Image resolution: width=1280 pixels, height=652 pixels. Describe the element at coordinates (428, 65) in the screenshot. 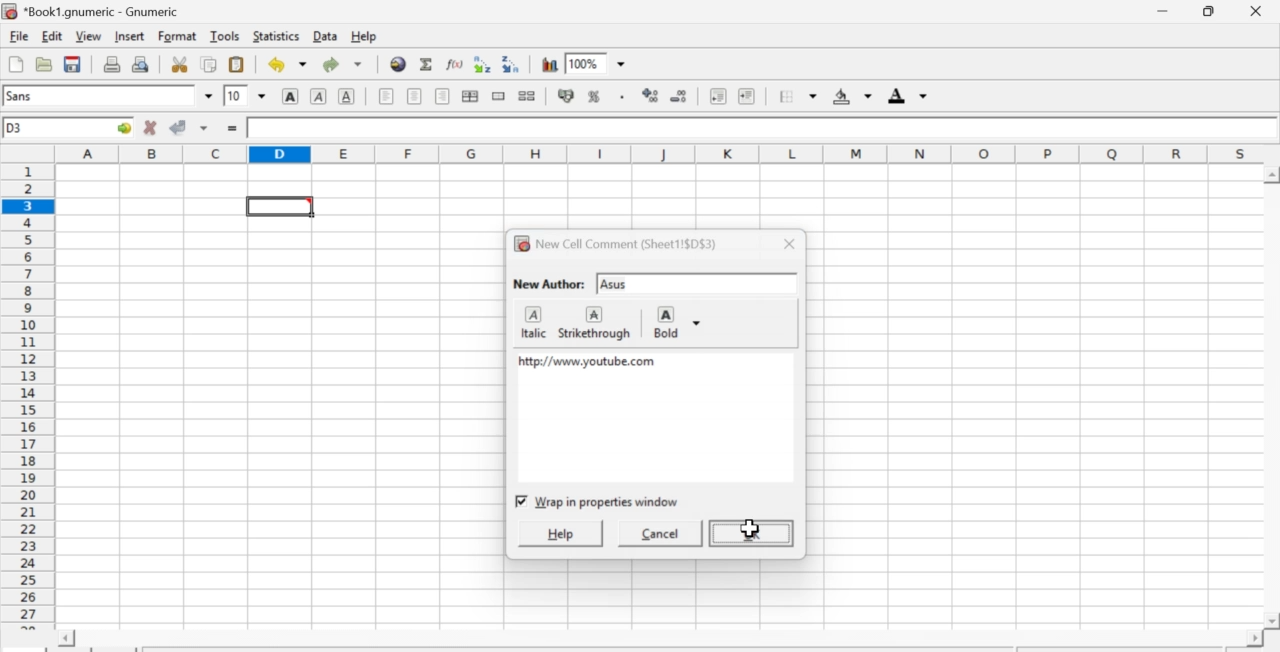

I see `Sum` at that location.